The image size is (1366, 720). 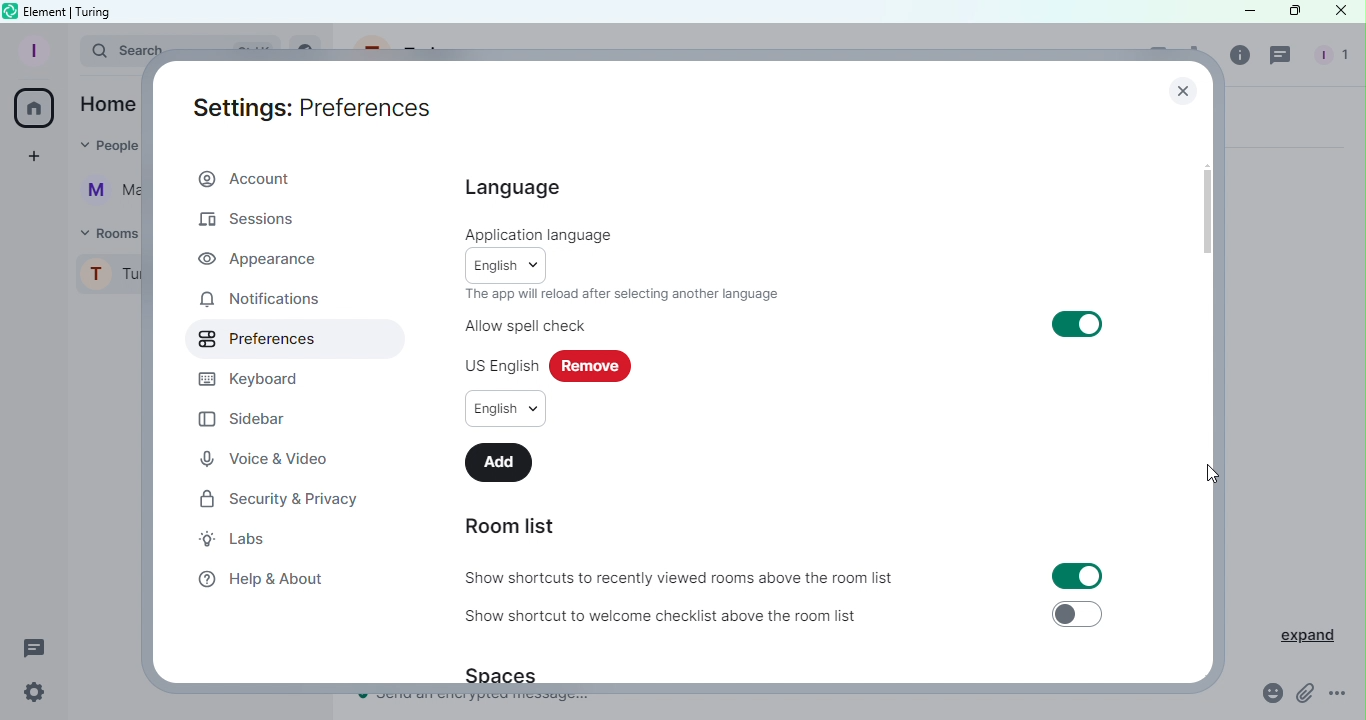 I want to click on close, so click(x=1182, y=89).